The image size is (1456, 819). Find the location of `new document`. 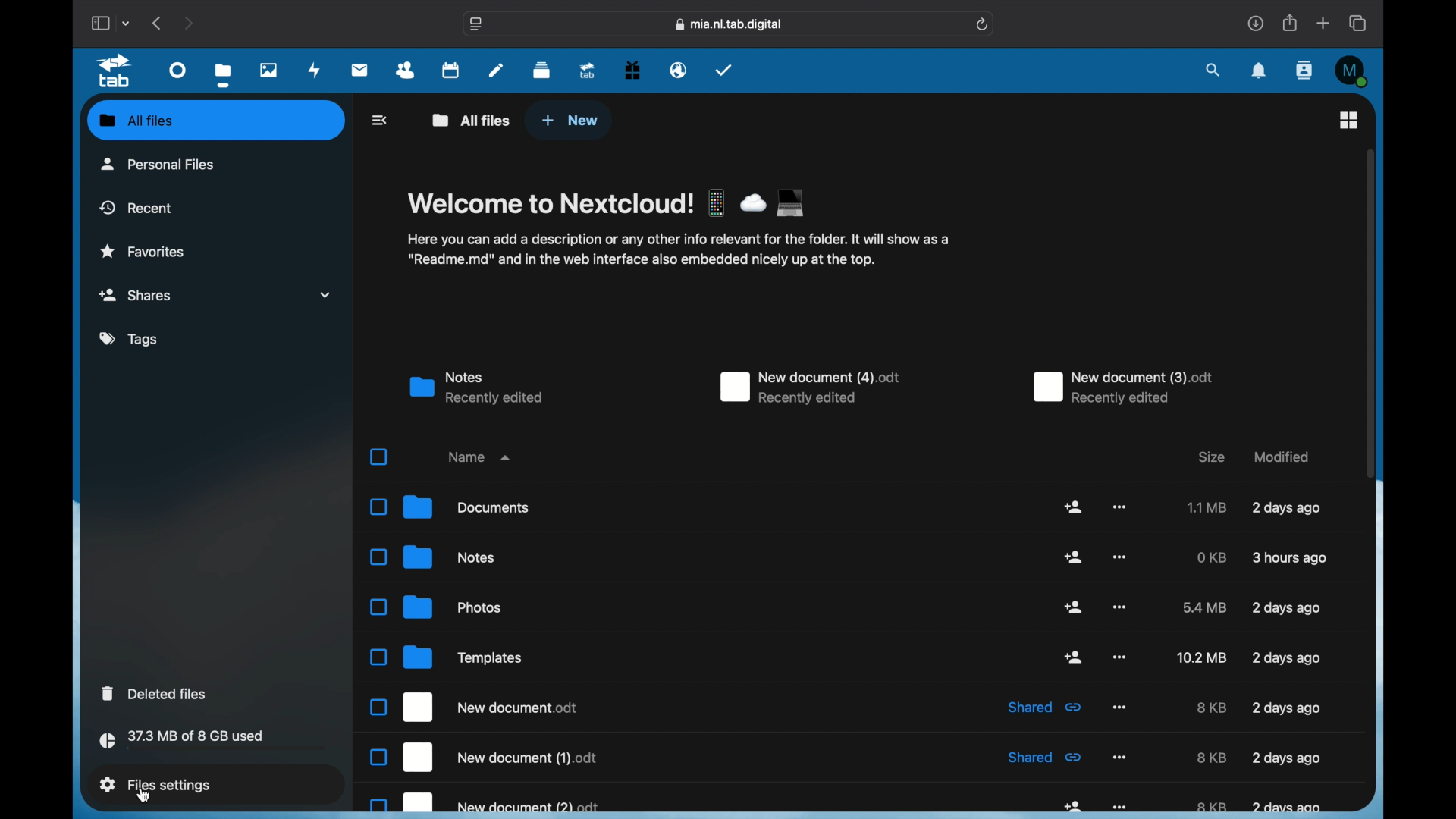

new document is located at coordinates (473, 707).